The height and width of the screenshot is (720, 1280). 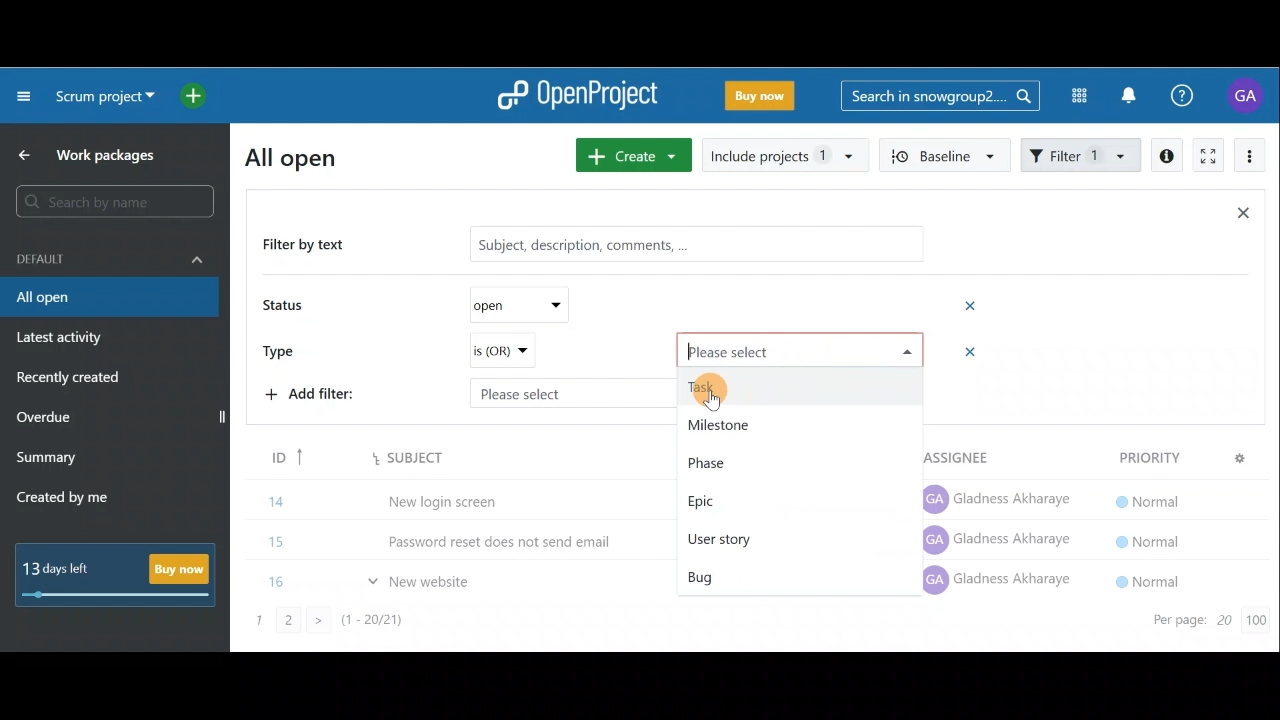 I want to click on Assignee, so click(x=960, y=452).